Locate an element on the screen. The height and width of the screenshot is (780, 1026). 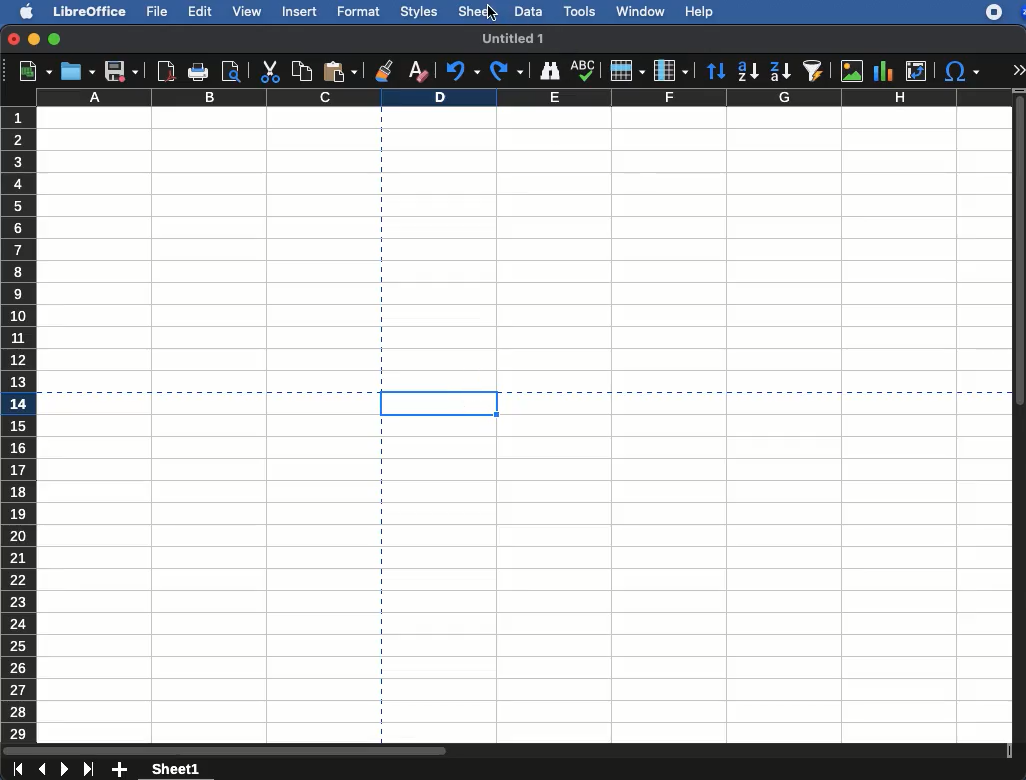
add is located at coordinates (122, 770).